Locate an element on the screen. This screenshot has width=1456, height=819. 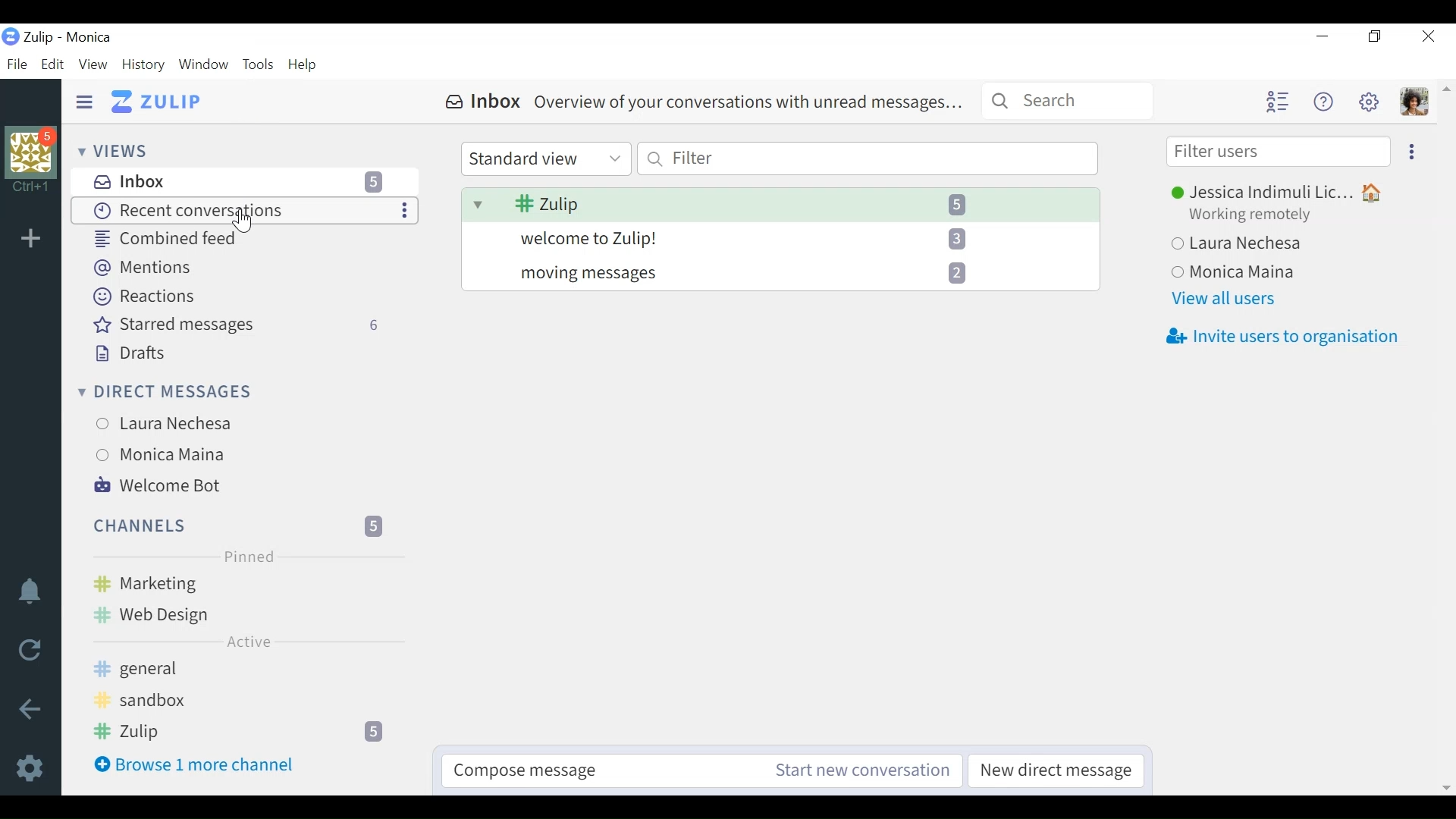
Web Design is located at coordinates (236, 616).